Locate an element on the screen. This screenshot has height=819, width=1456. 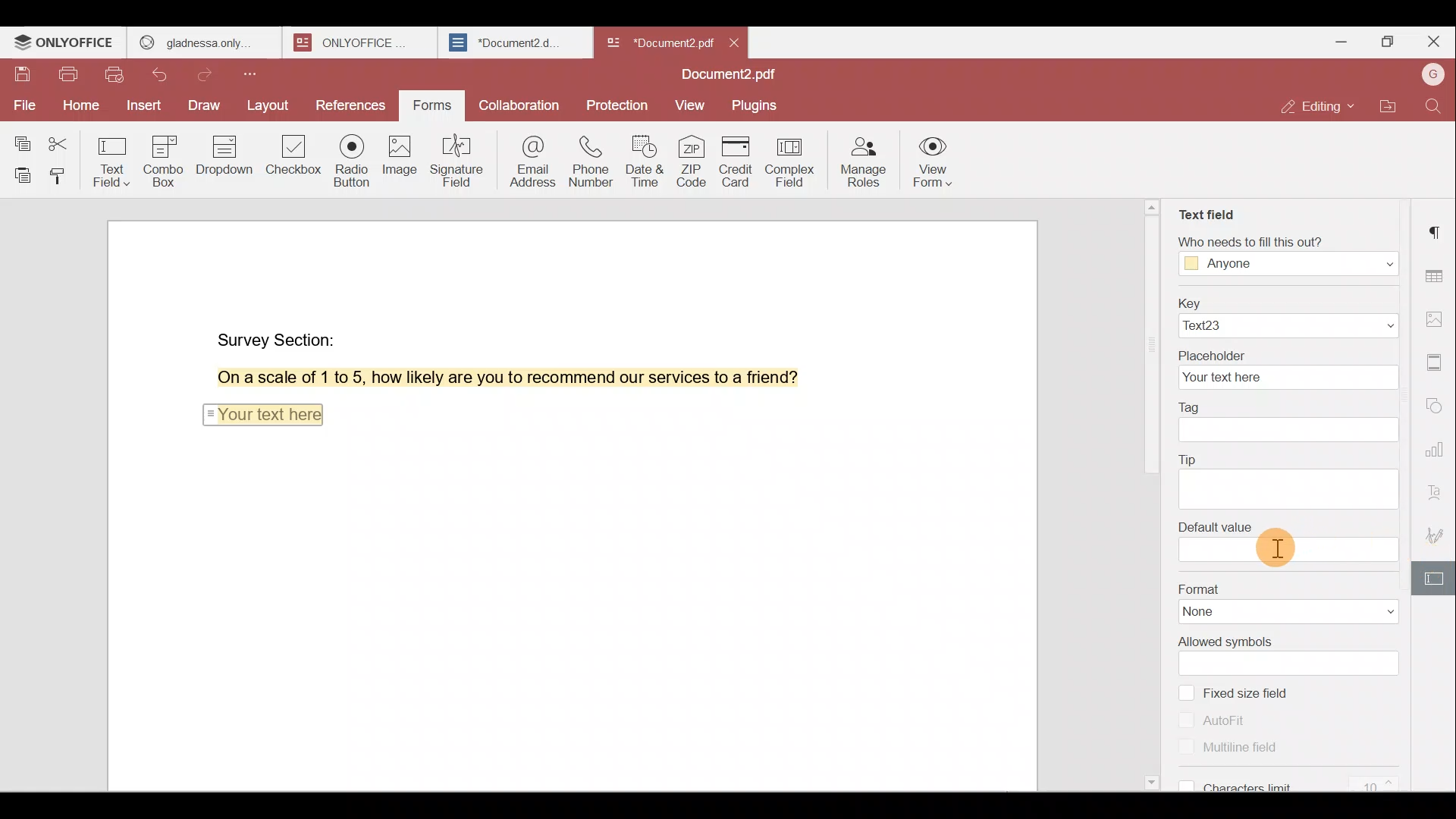
ZIP code is located at coordinates (693, 160).